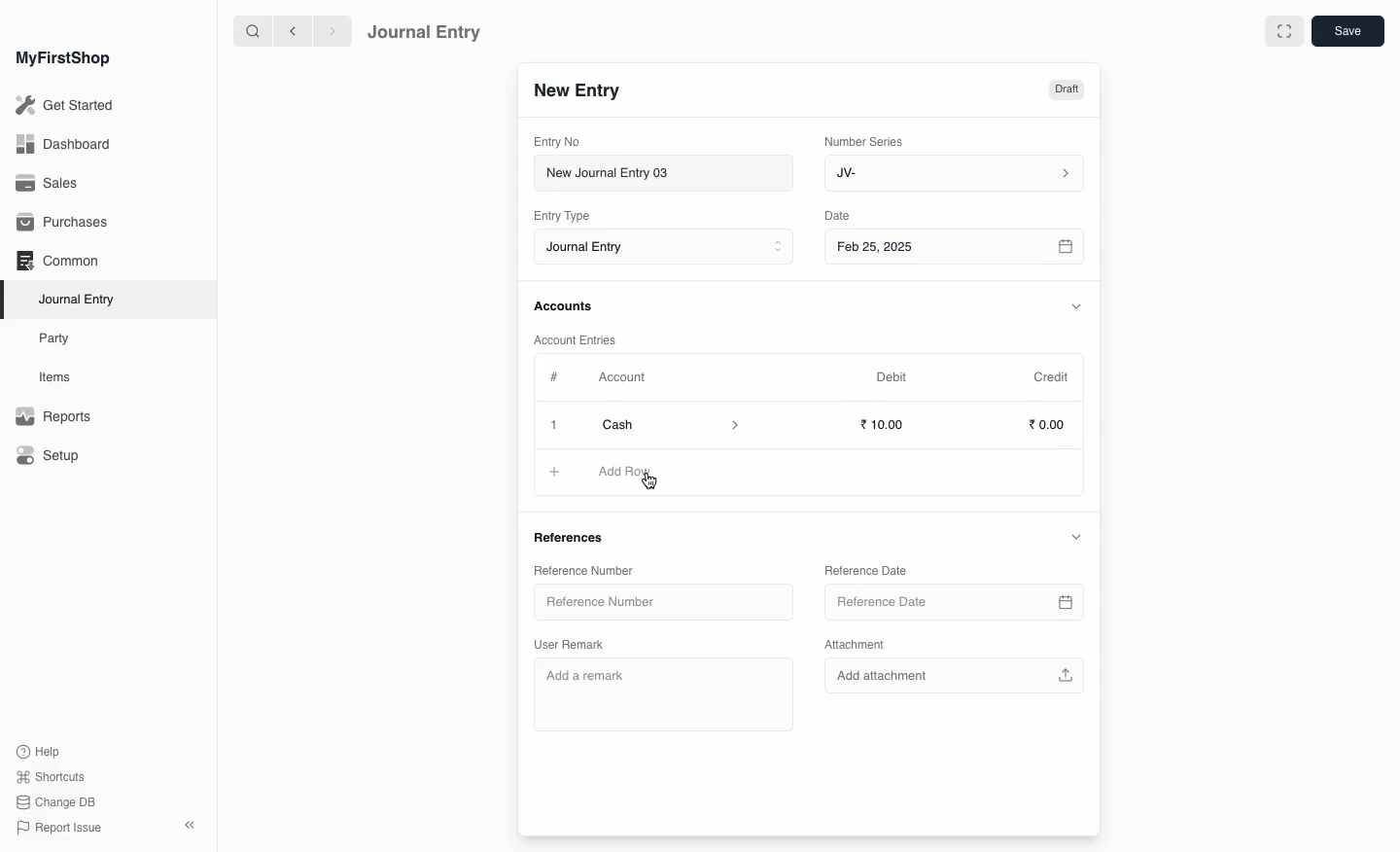  What do you see at coordinates (582, 340) in the screenshot?
I see `Account Entries` at bounding box center [582, 340].